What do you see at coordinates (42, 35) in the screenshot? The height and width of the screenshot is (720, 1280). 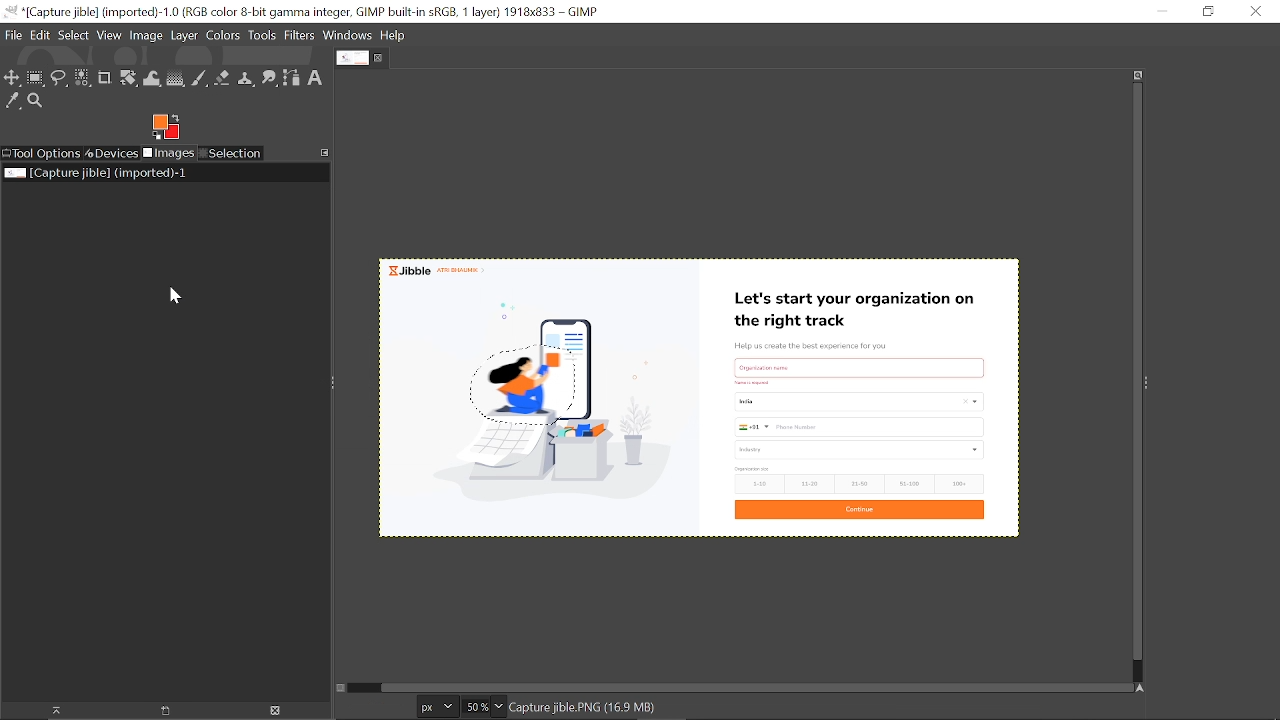 I see `Edit` at bounding box center [42, 35].